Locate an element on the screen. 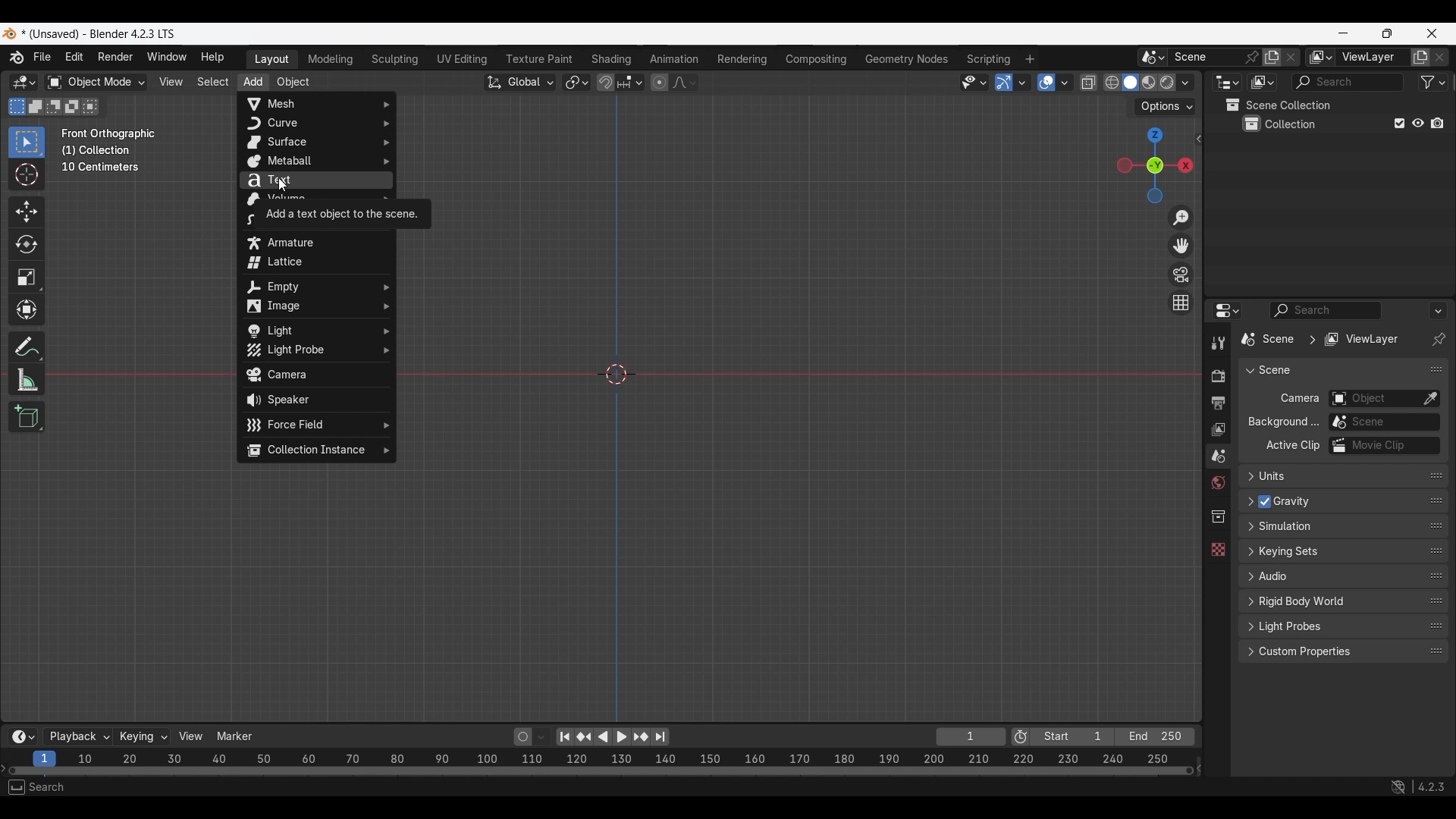  Rotate is located at coordinates (27, 244).